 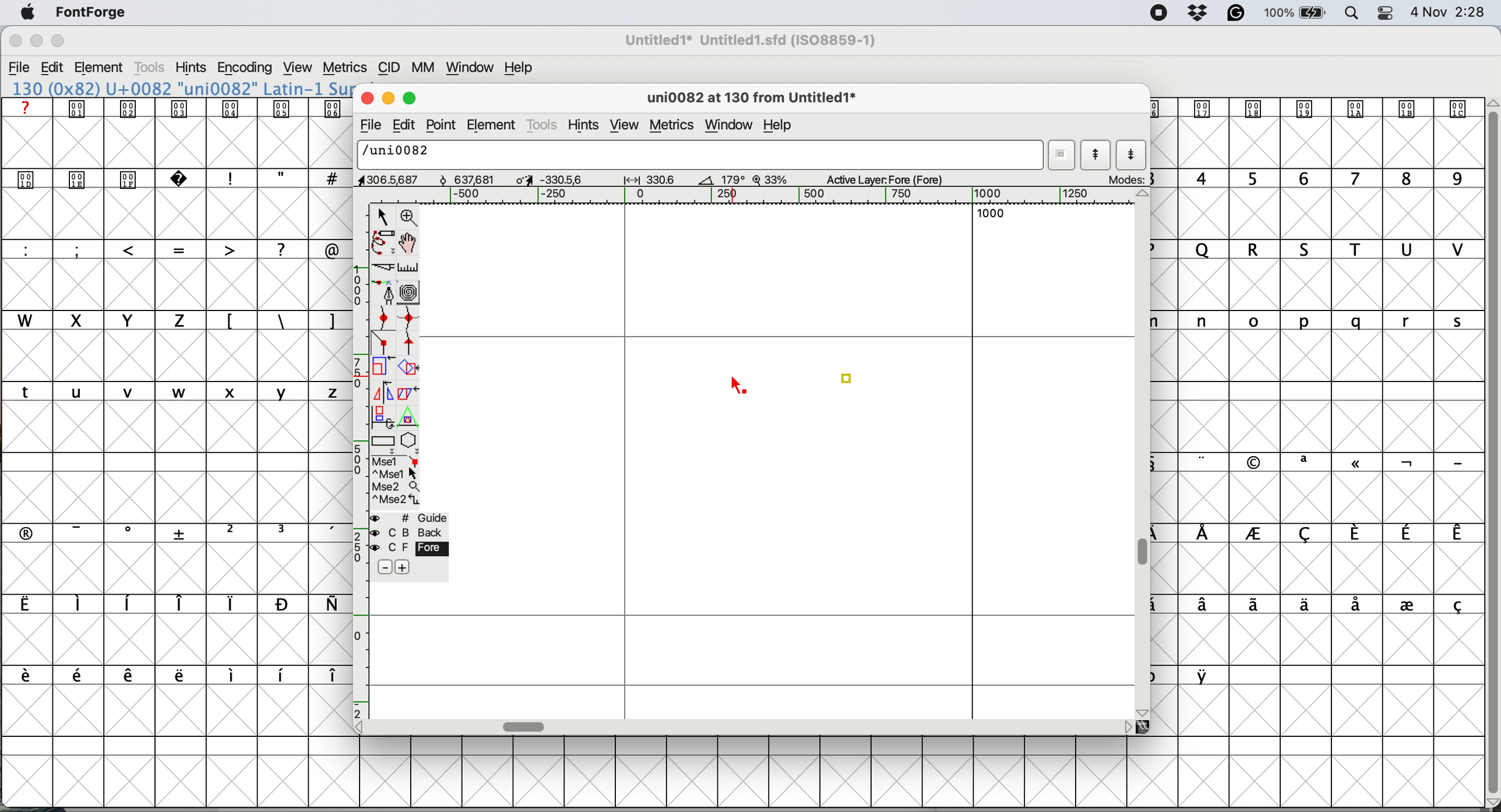 What do you see at coordinates (92, 12) in the screenshot?
I see `fontforge` at bounding box center [92, 12].